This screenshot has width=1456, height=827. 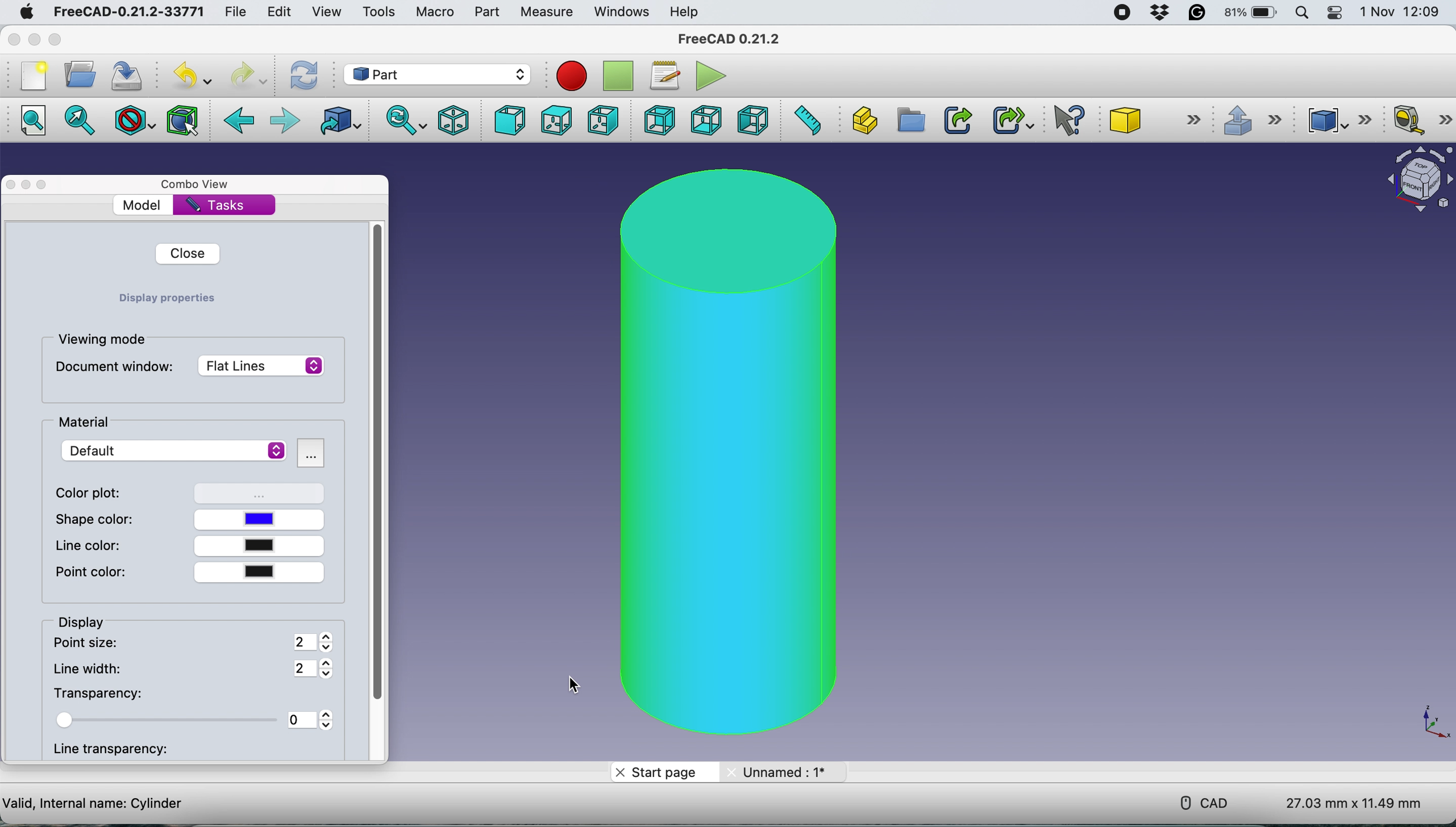 I want to click on object interface, so click(x=1418, y=179).